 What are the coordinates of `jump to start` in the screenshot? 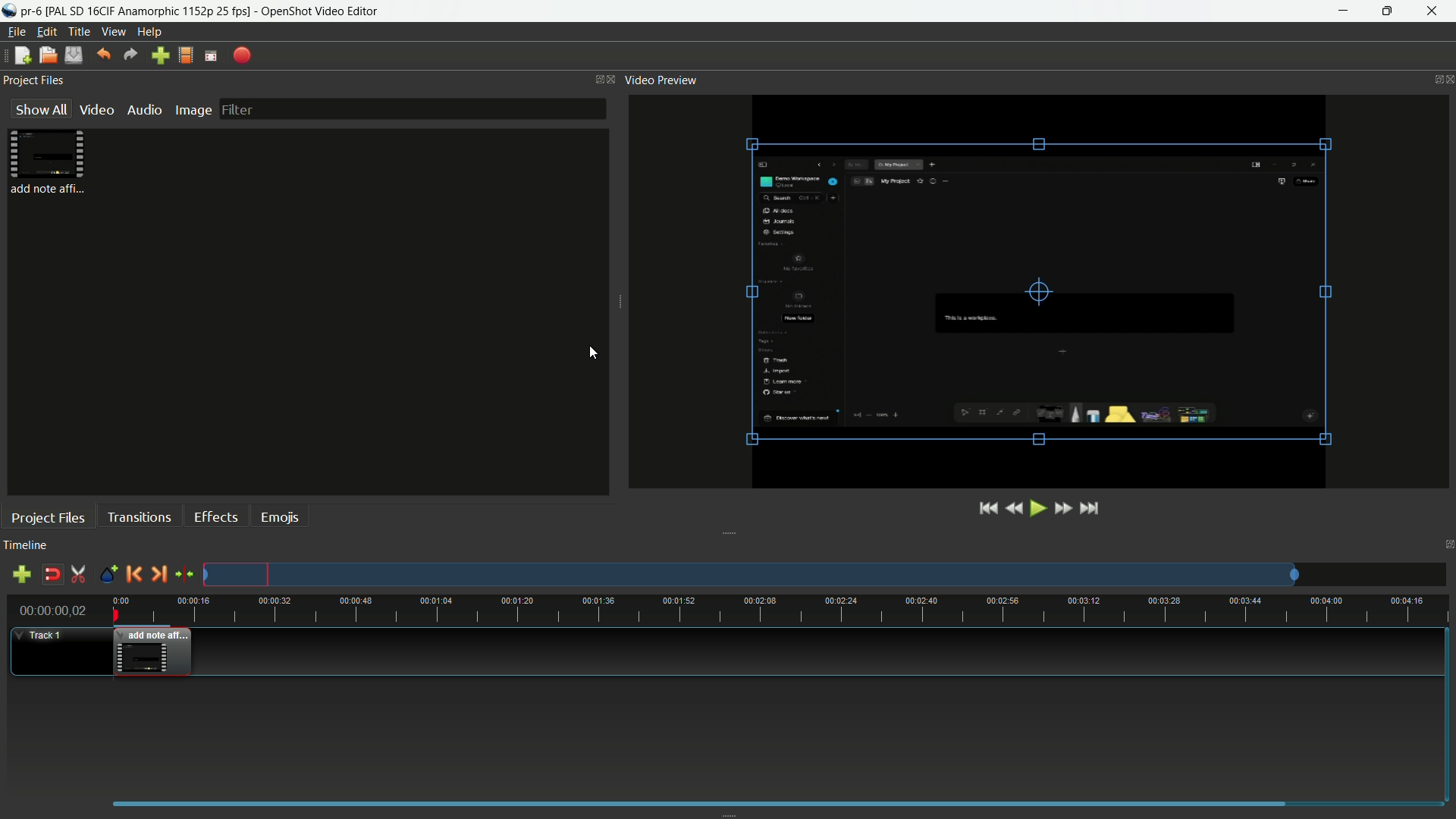 It's located at (988, 509).